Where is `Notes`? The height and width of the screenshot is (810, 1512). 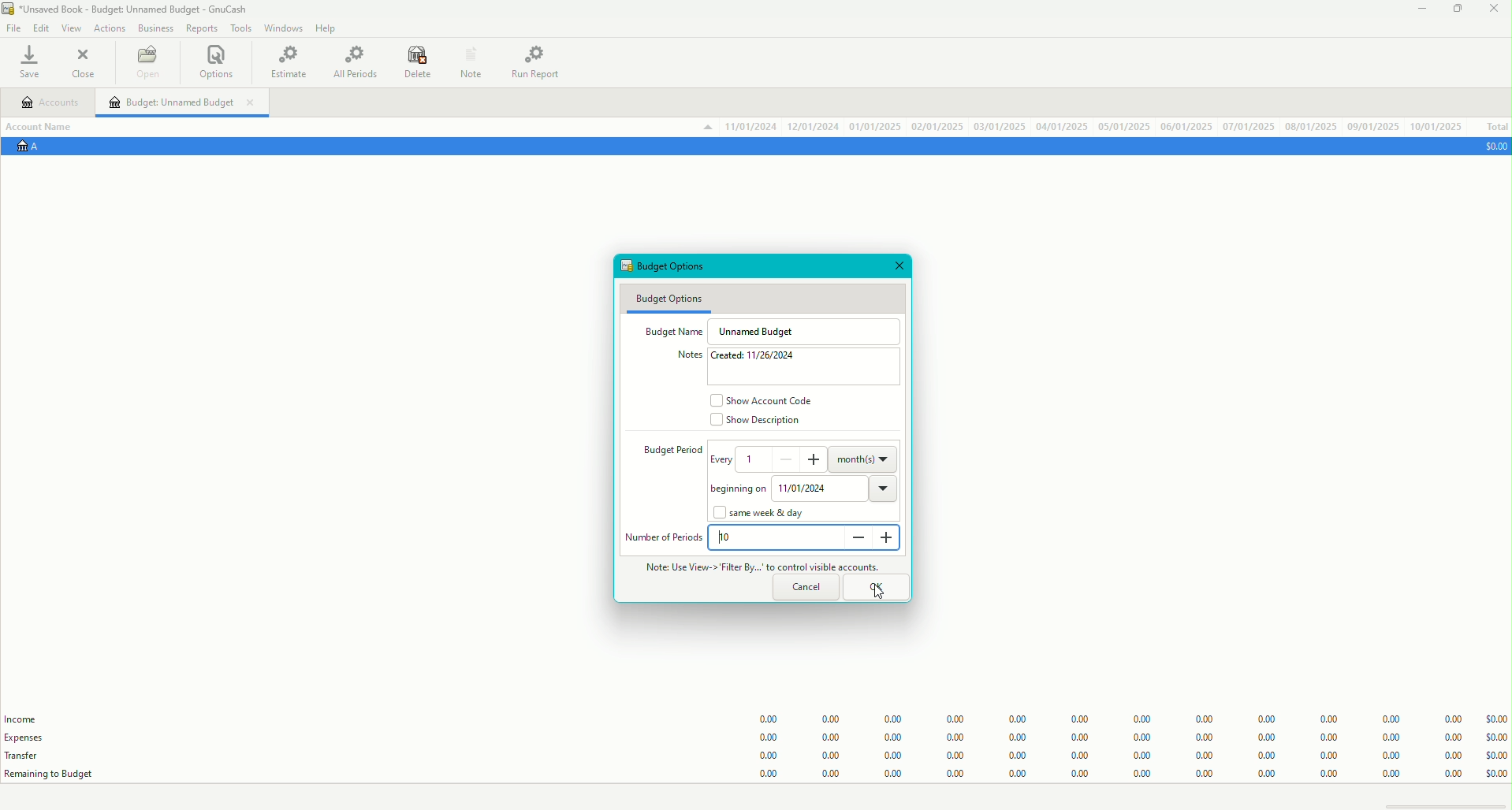 Notes is located at coordinates (683, 355).